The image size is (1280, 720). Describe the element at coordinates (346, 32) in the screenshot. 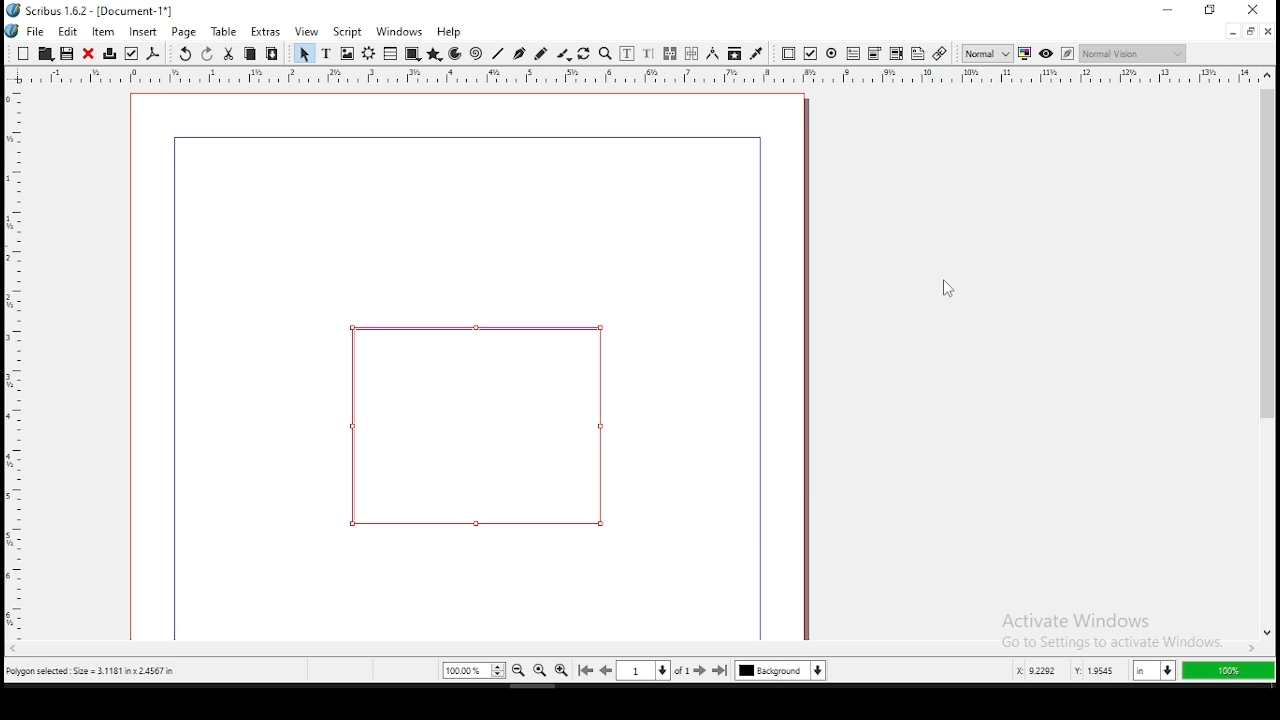

I see `script` at that location.